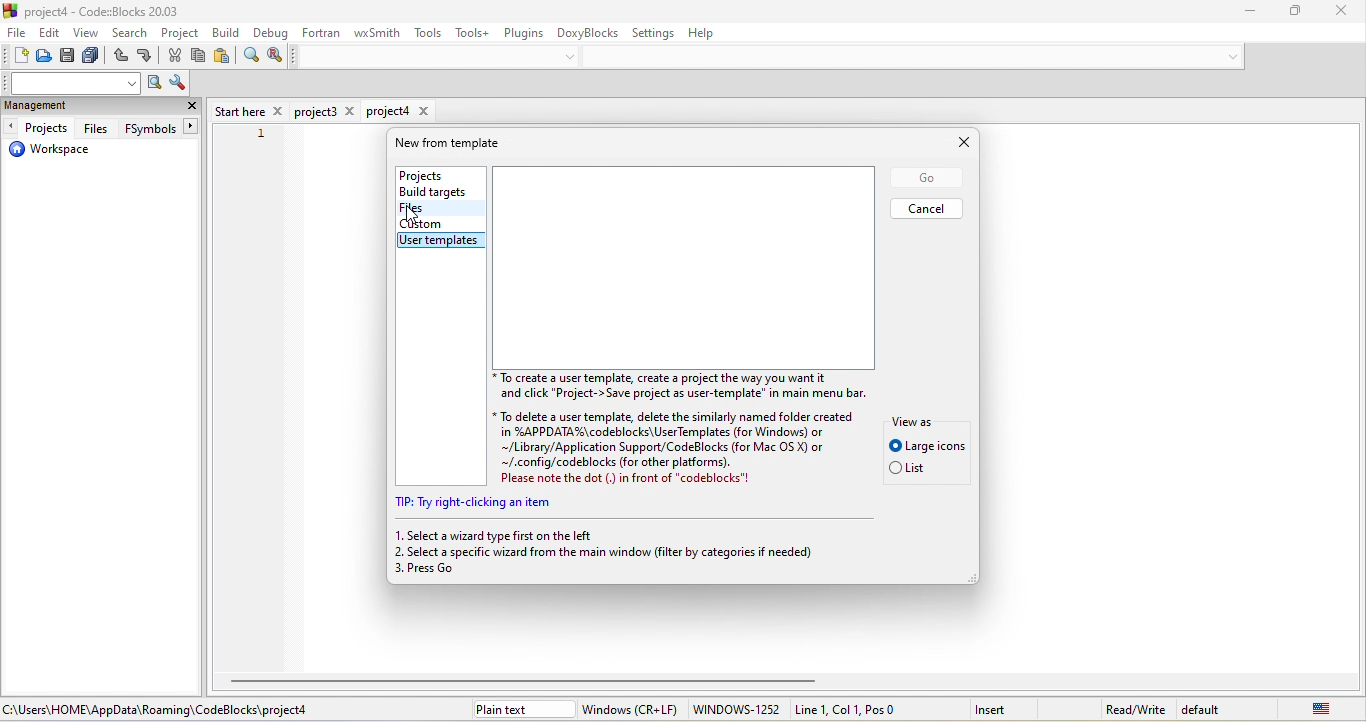  Describe the element at coordinates (181, 34) in the screenshot. I see `project` at that location.